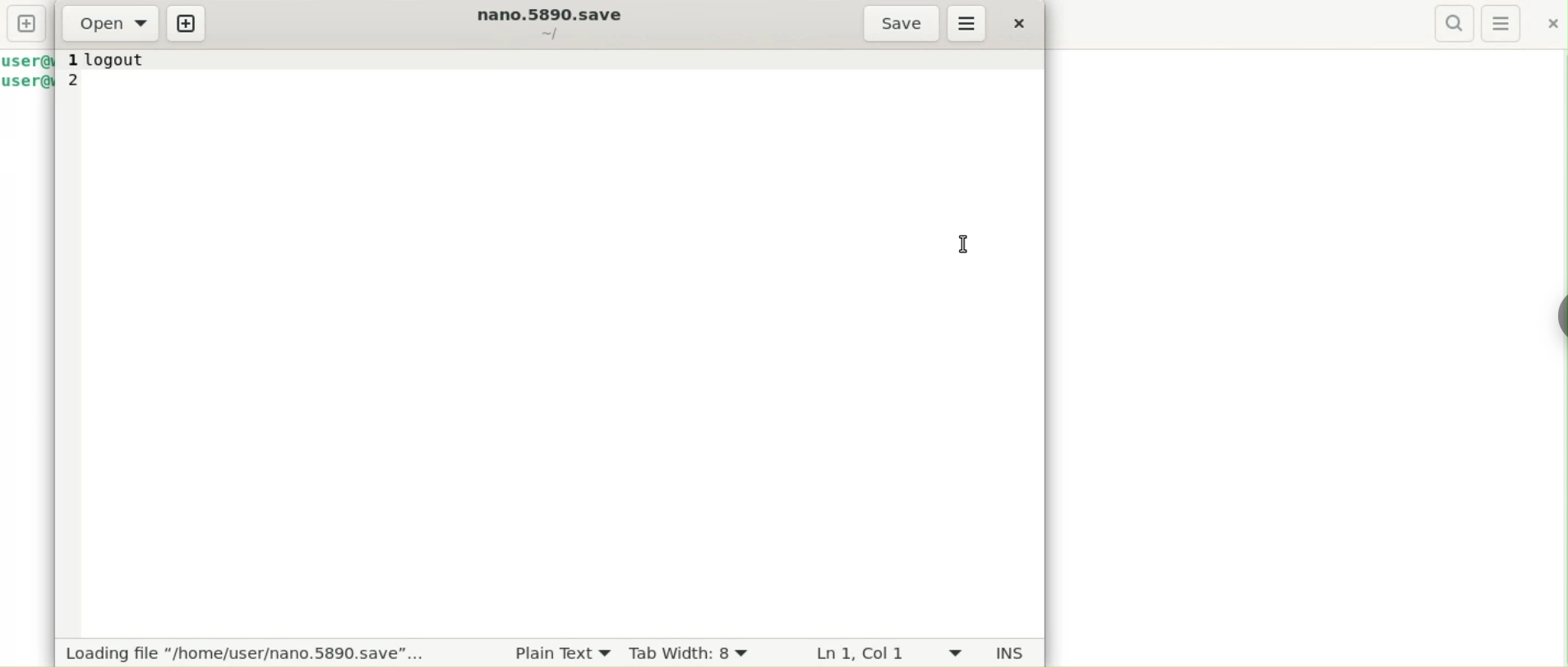 This screenshot has height=667, width=1568. What do you see at coordinates (860, 654) in the screenshot?
I see `Ln 1, Col 1` at bounding box center [860, 654].